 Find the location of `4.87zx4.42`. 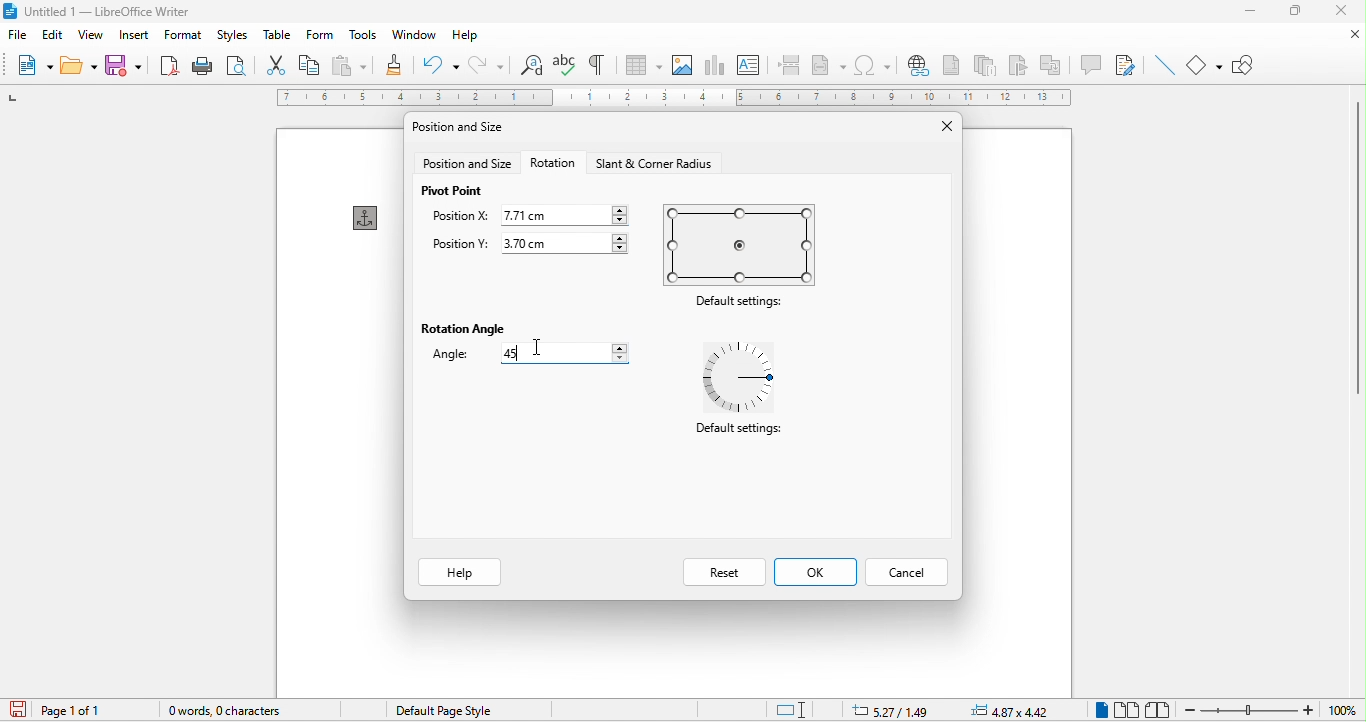

4.87zx4.42 is located at coordinates (1010, 711).